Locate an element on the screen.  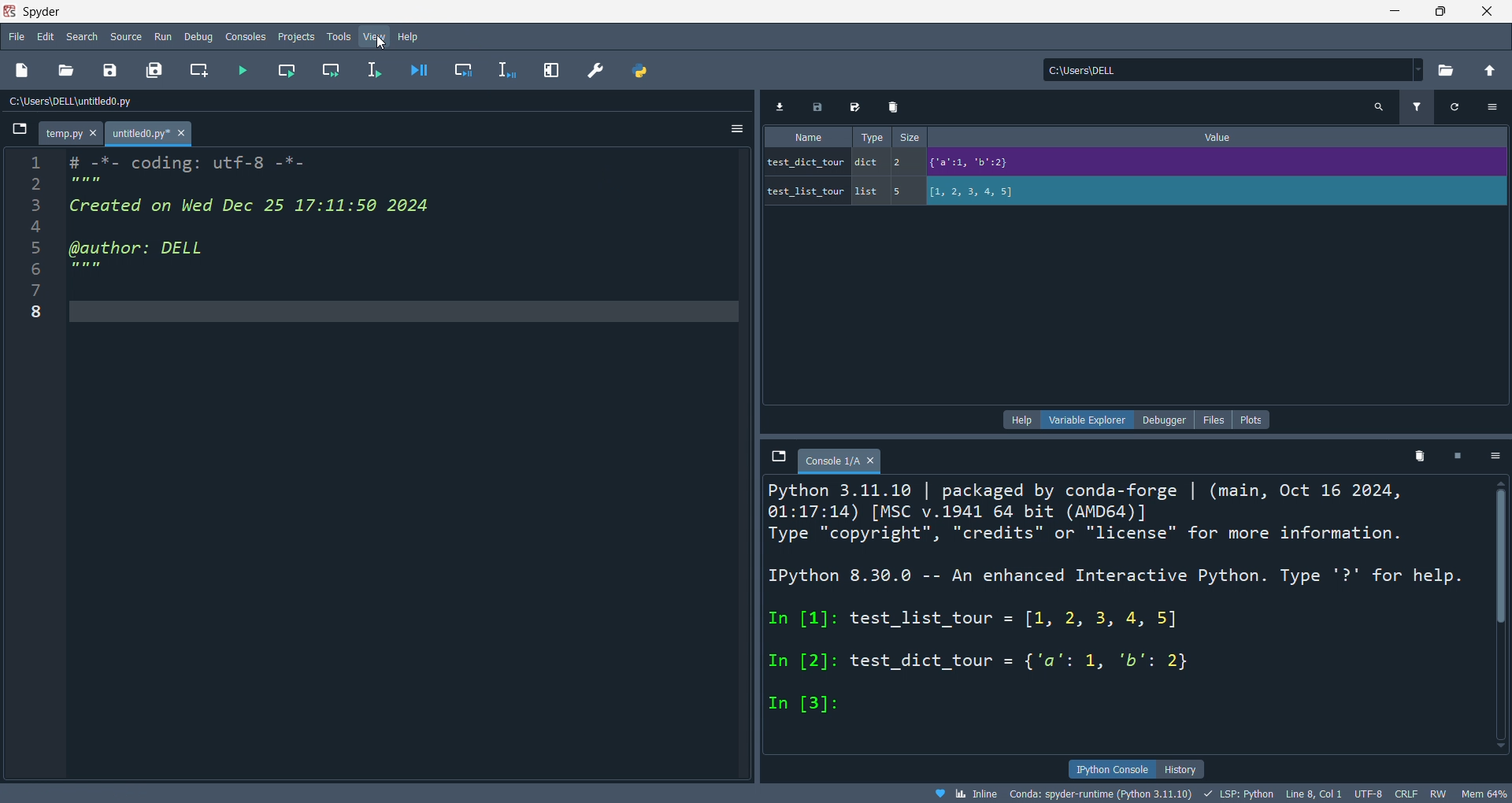
new cell is located at coordinates (197, 71).